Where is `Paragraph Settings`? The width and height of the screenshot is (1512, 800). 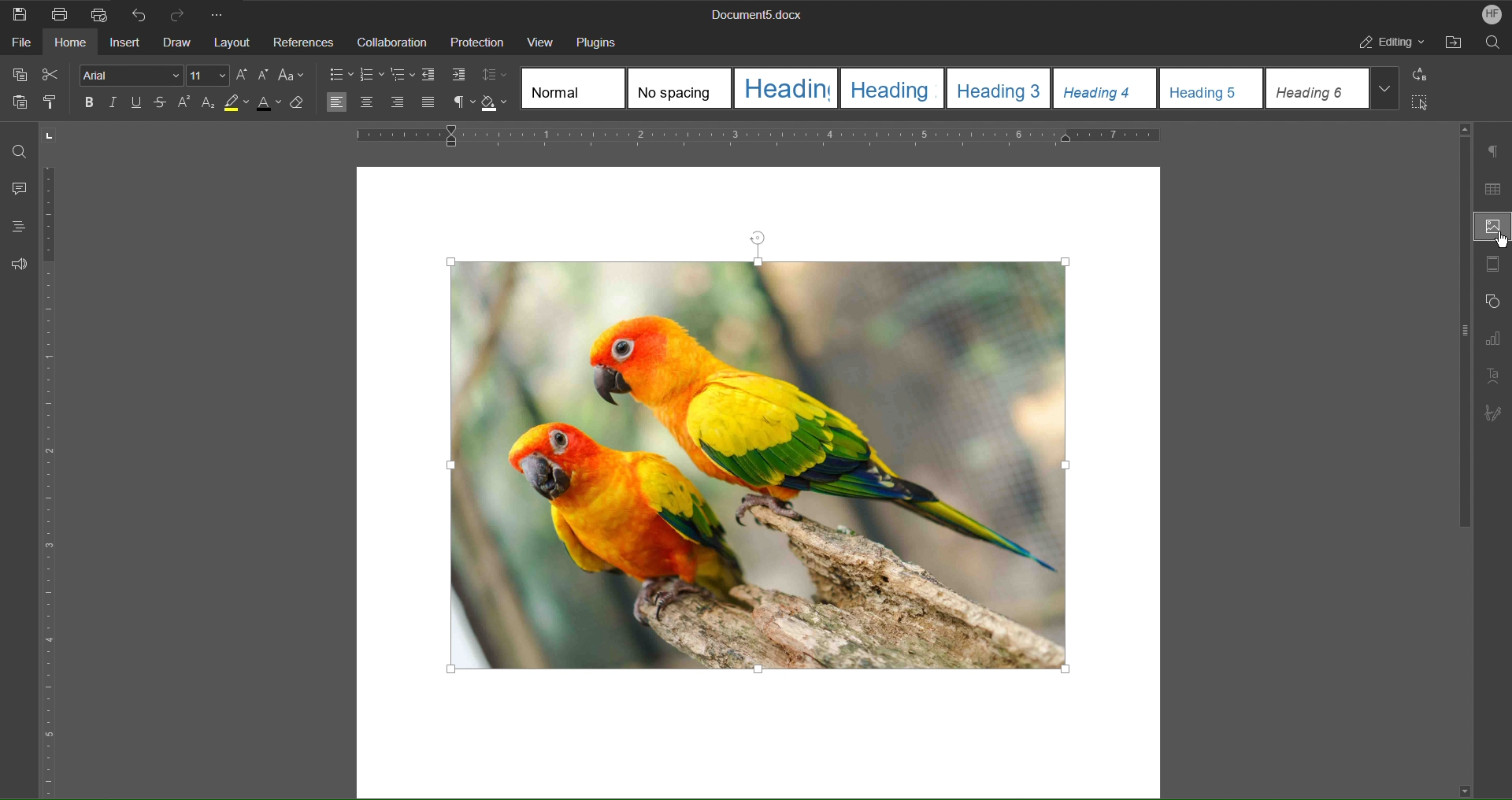
Paragraph Settings is located at coordinates (1495, 151).